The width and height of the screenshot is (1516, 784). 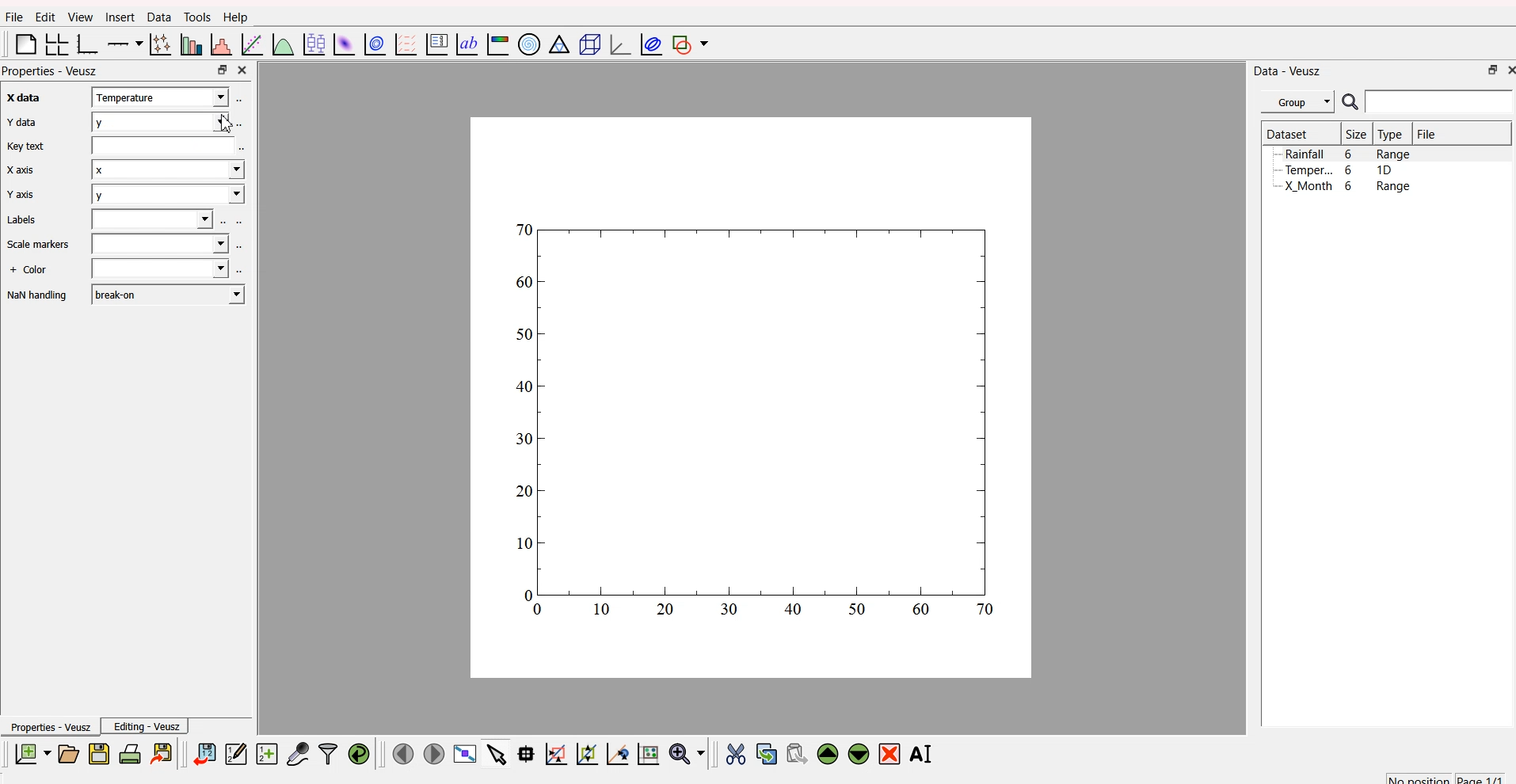 What do you see at coordinates (252, 45) in the screenshot?
I see `fit function to data` at bounding box center [252, 45].